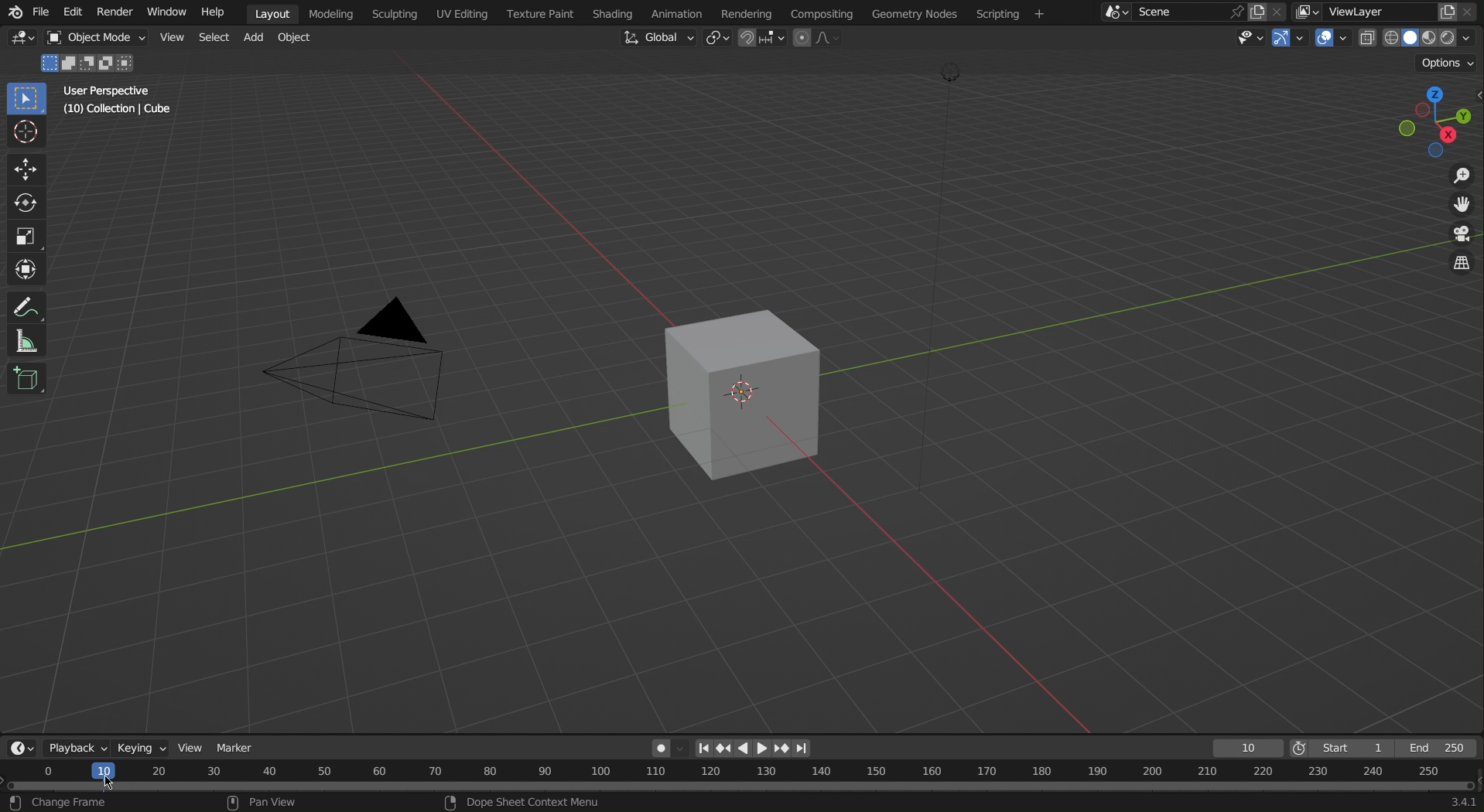 This screenshot has width=1484, height=812. Describe the element at coordinates (93, 37) in the screenshot. I see `Object Mode` at that location.